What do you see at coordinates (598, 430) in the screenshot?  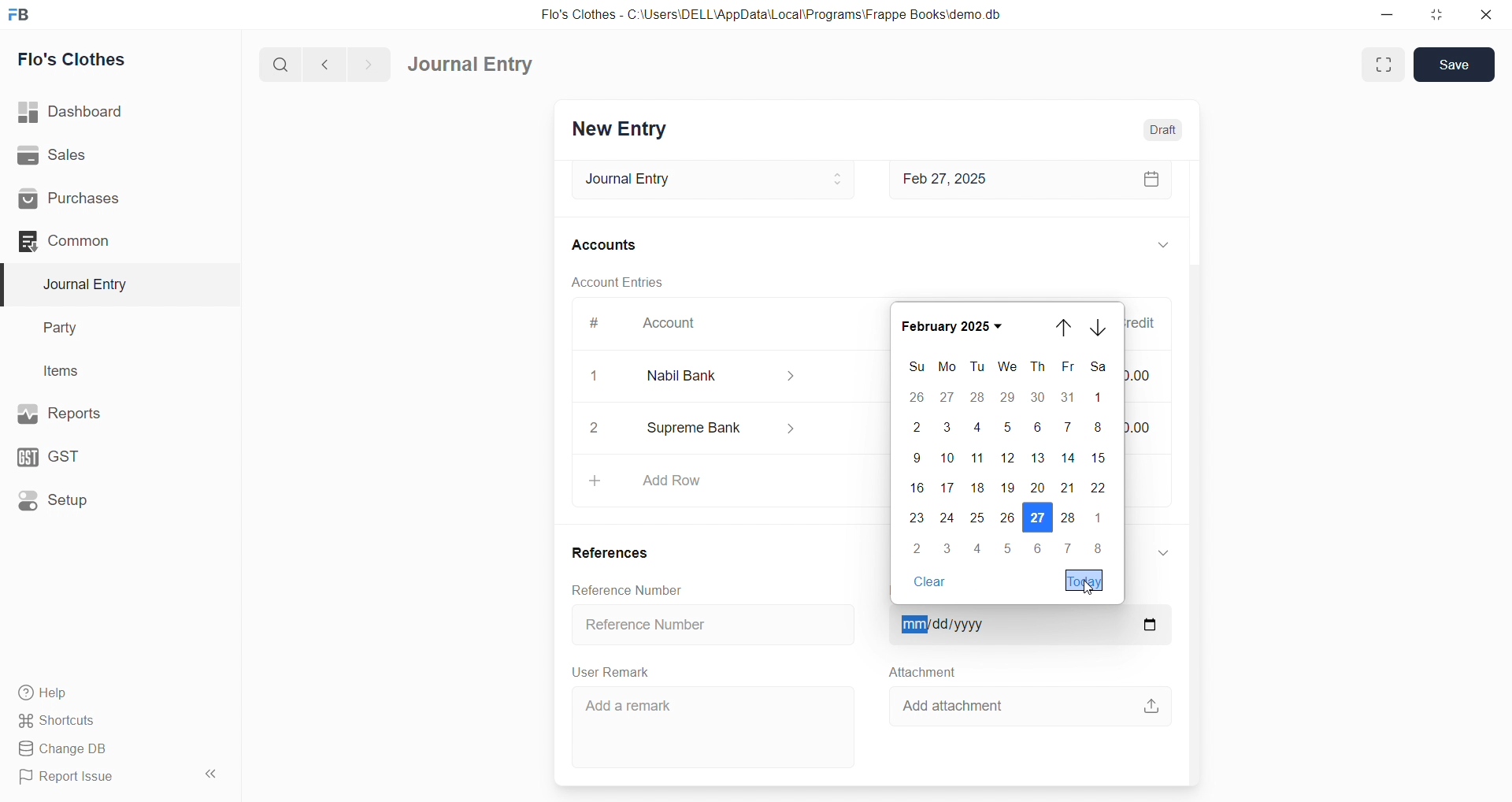 I see `2` at bounding box center [598, 430].